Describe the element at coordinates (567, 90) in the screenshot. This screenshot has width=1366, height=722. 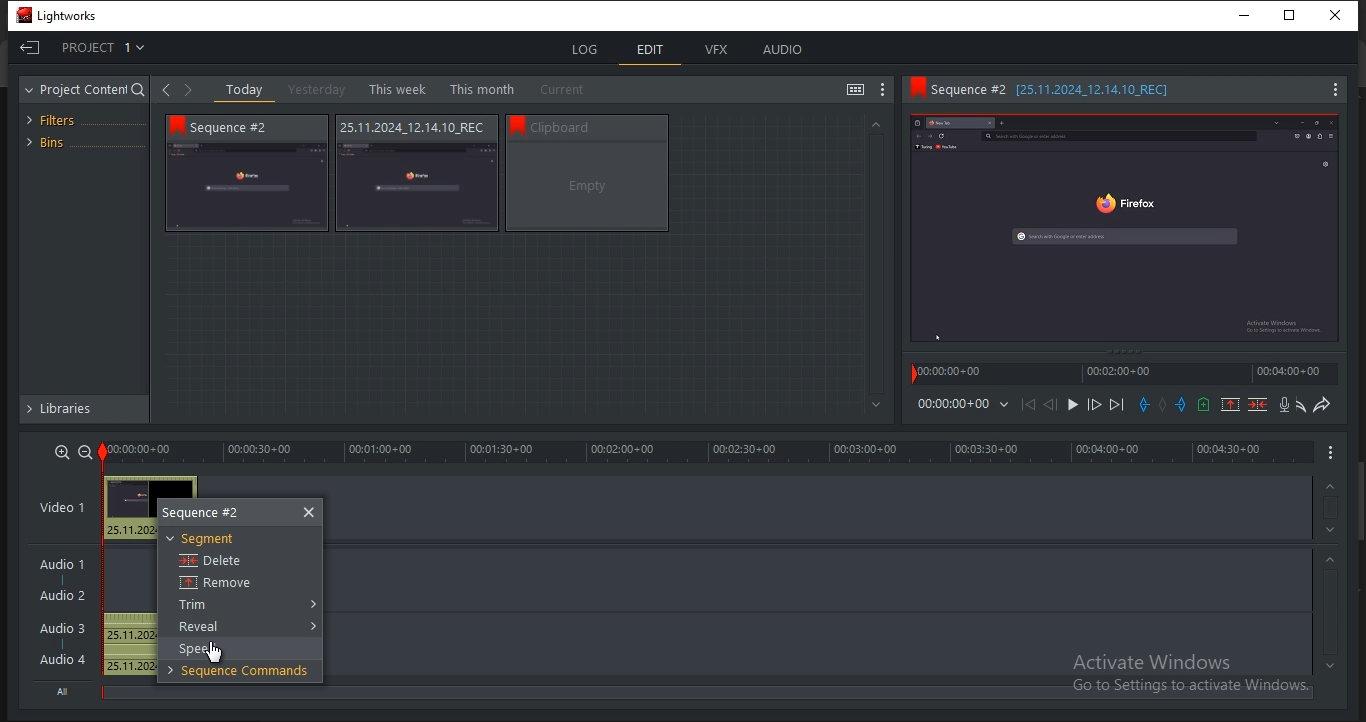
I see `current` at that location.